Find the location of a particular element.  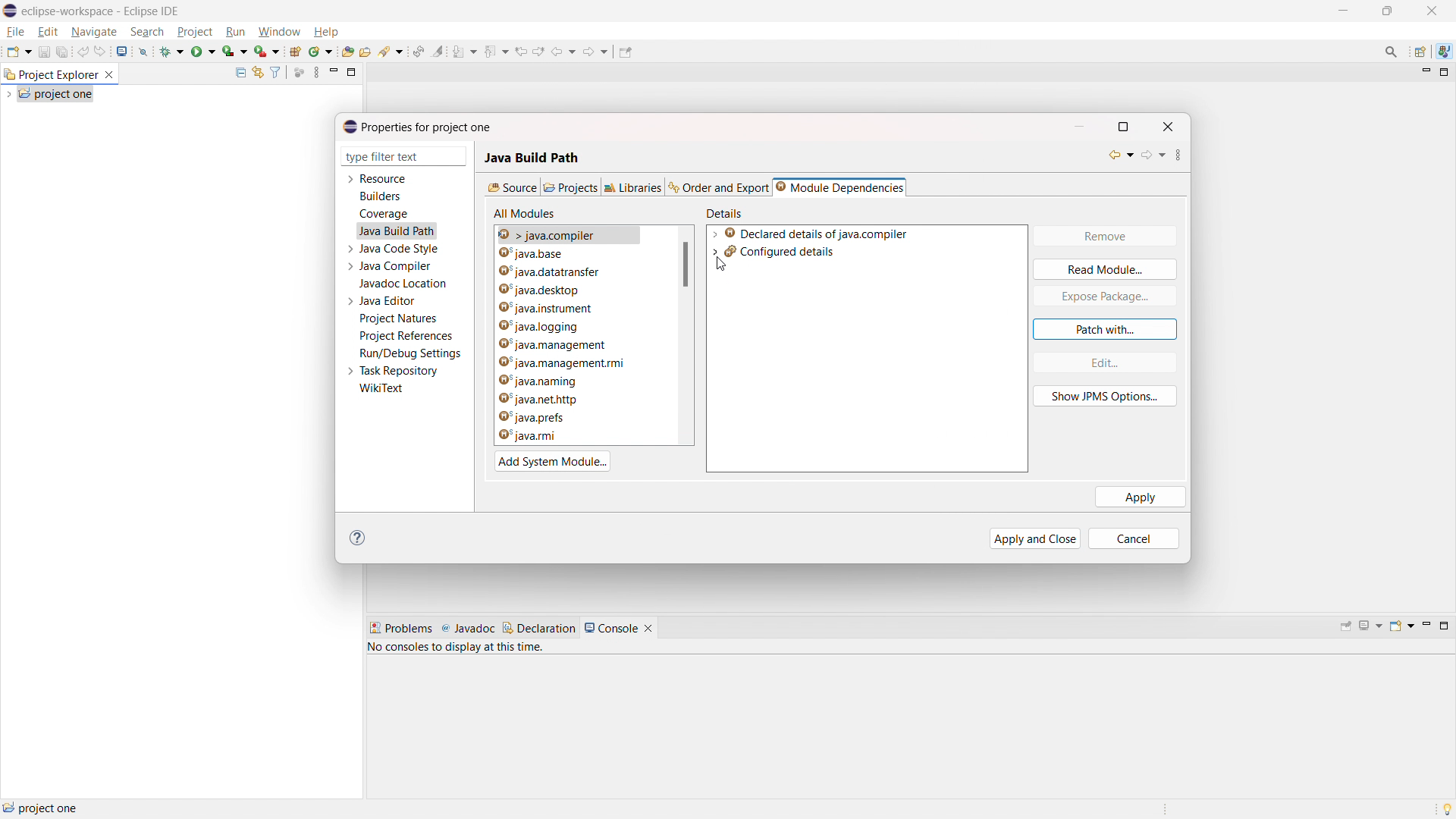

navigate is located at coordinates (93, 31).